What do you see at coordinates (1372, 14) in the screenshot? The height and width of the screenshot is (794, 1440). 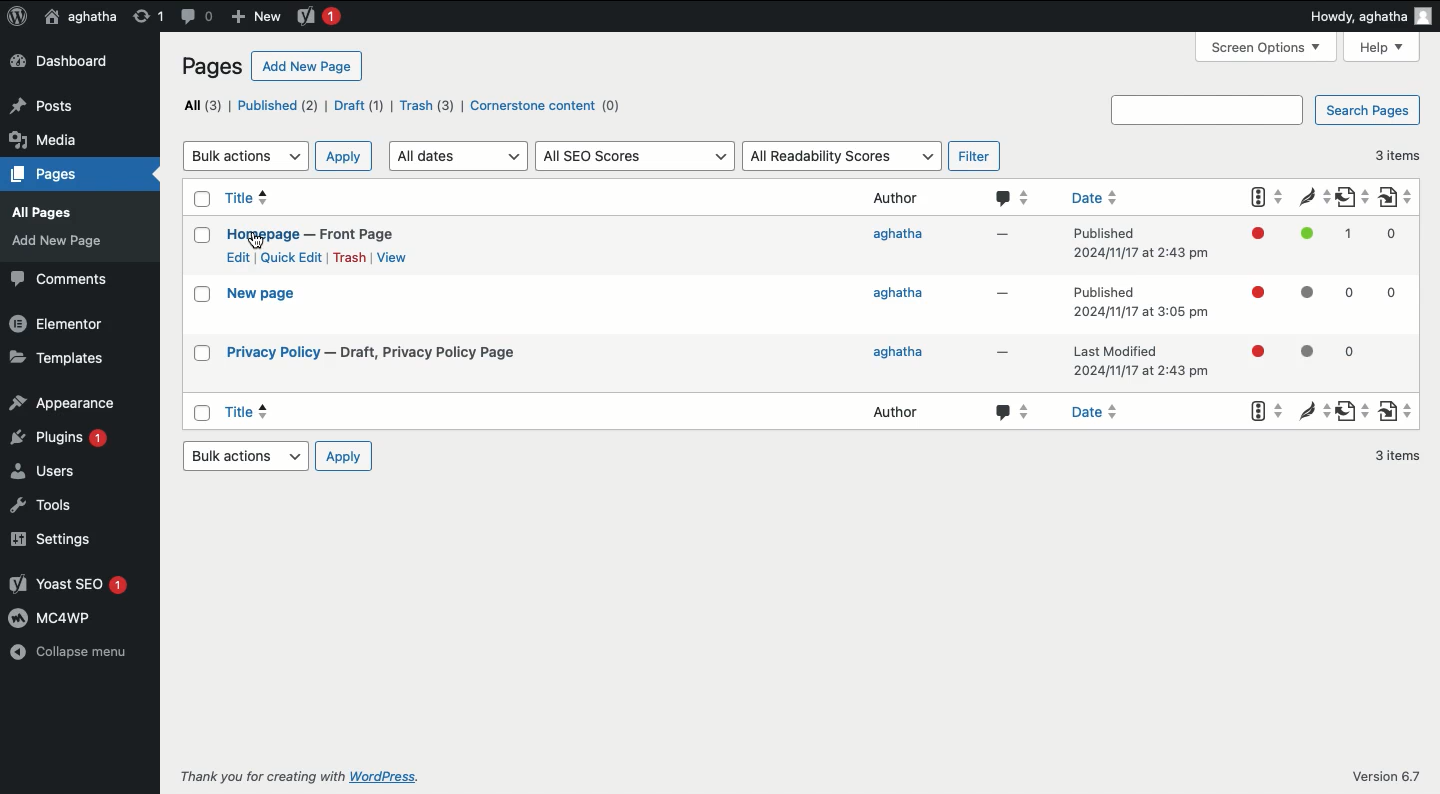 I see `Howdy user` at bounding box center [1372, 14].